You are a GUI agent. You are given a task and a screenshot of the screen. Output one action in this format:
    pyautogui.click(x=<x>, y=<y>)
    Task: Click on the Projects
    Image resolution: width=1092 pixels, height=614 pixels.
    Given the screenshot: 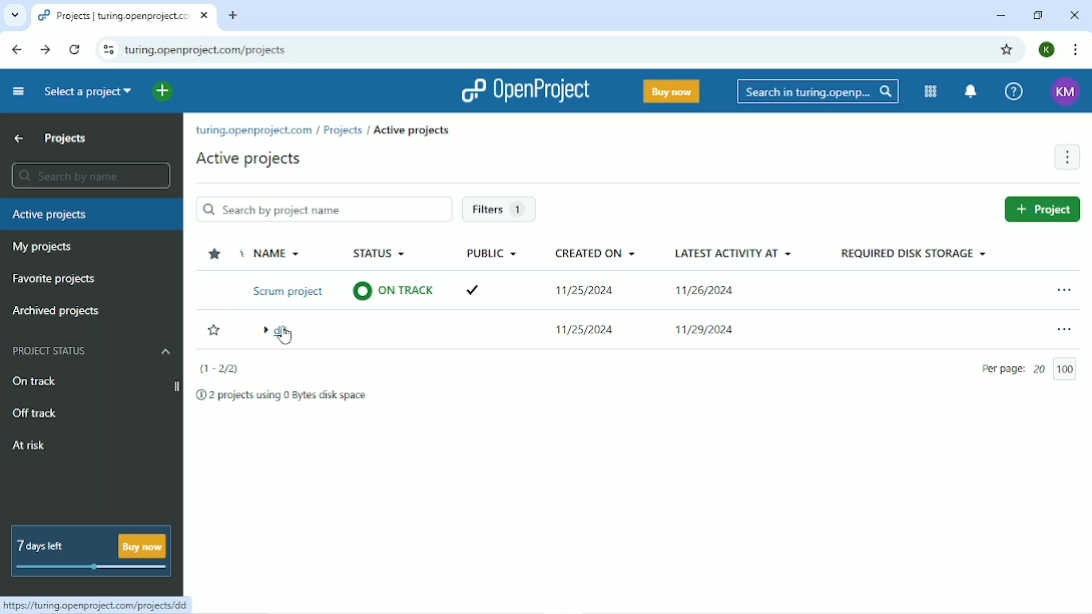 What is the action you would take?
    pyautogui.click(x=342, y=130)
    